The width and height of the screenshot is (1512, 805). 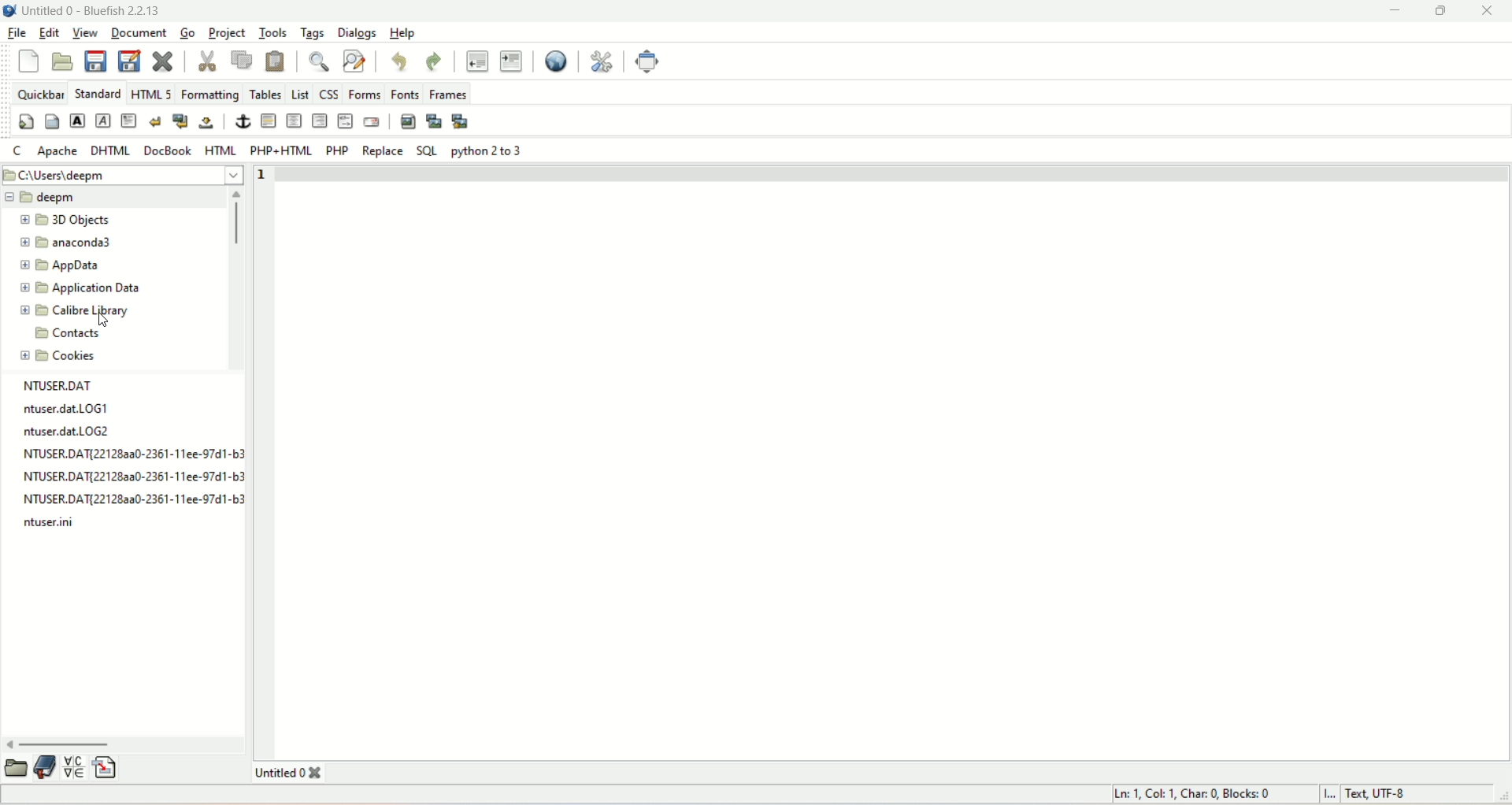 I want to click on line number, so click(x=270, y=176).